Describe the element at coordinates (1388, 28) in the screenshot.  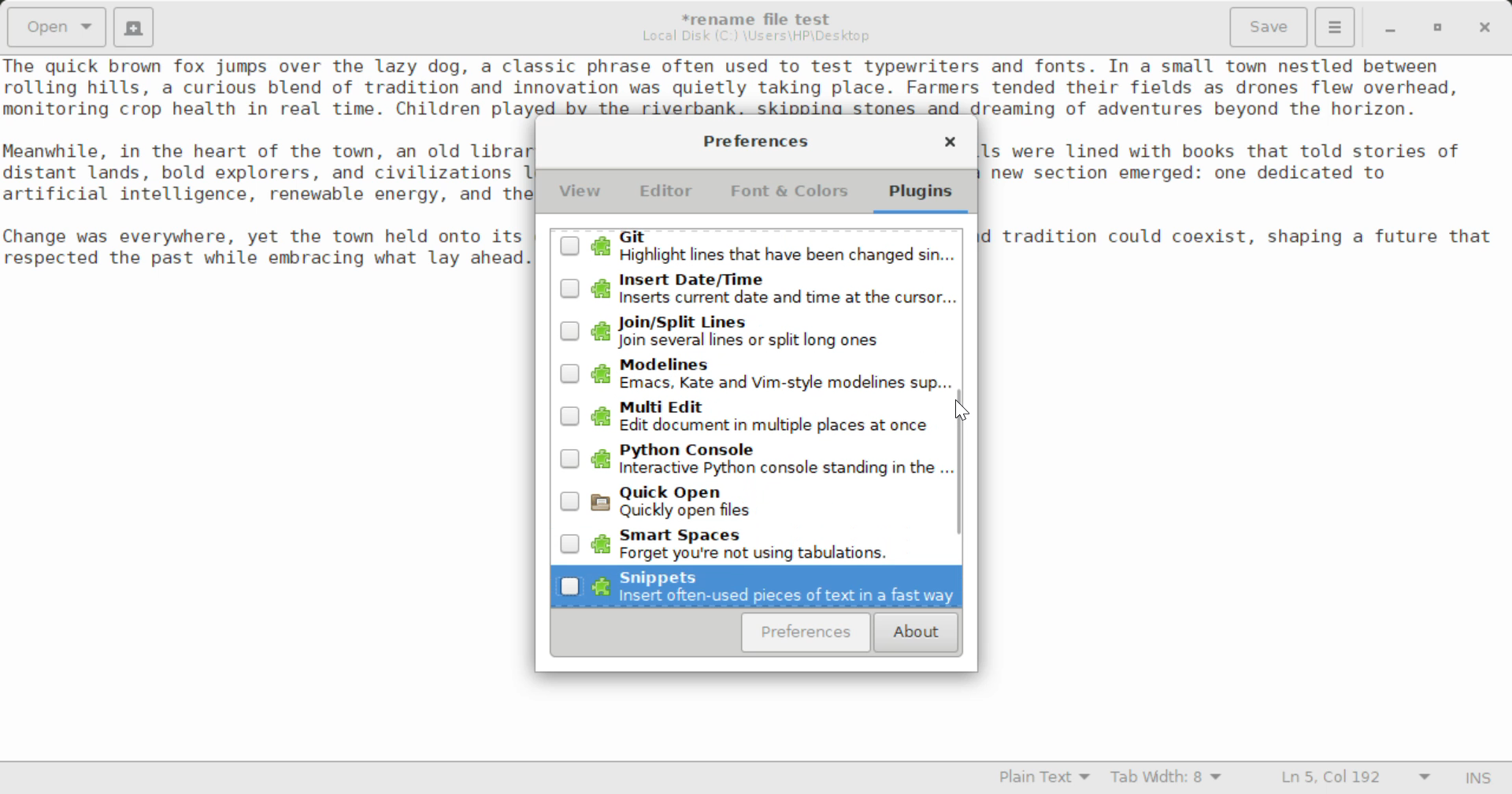
I see `Restore Down` at that location.